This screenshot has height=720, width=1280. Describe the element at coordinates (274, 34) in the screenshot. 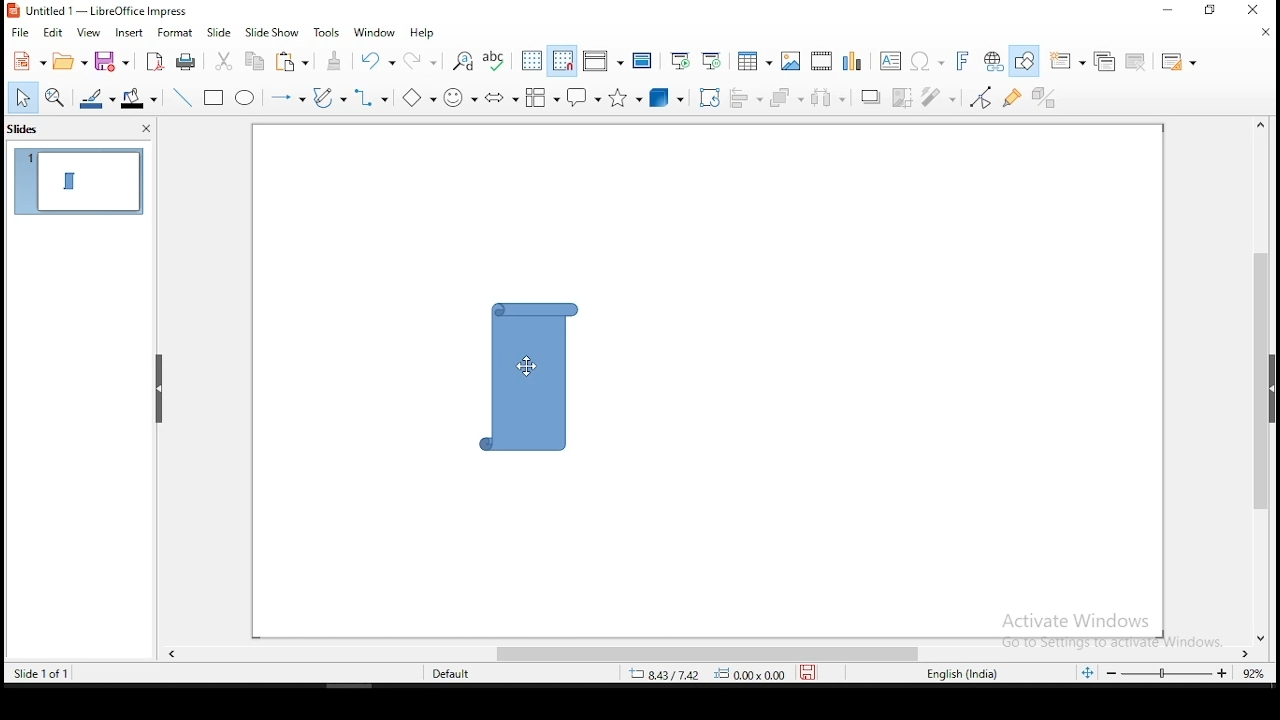

I see `slide show` at that location.